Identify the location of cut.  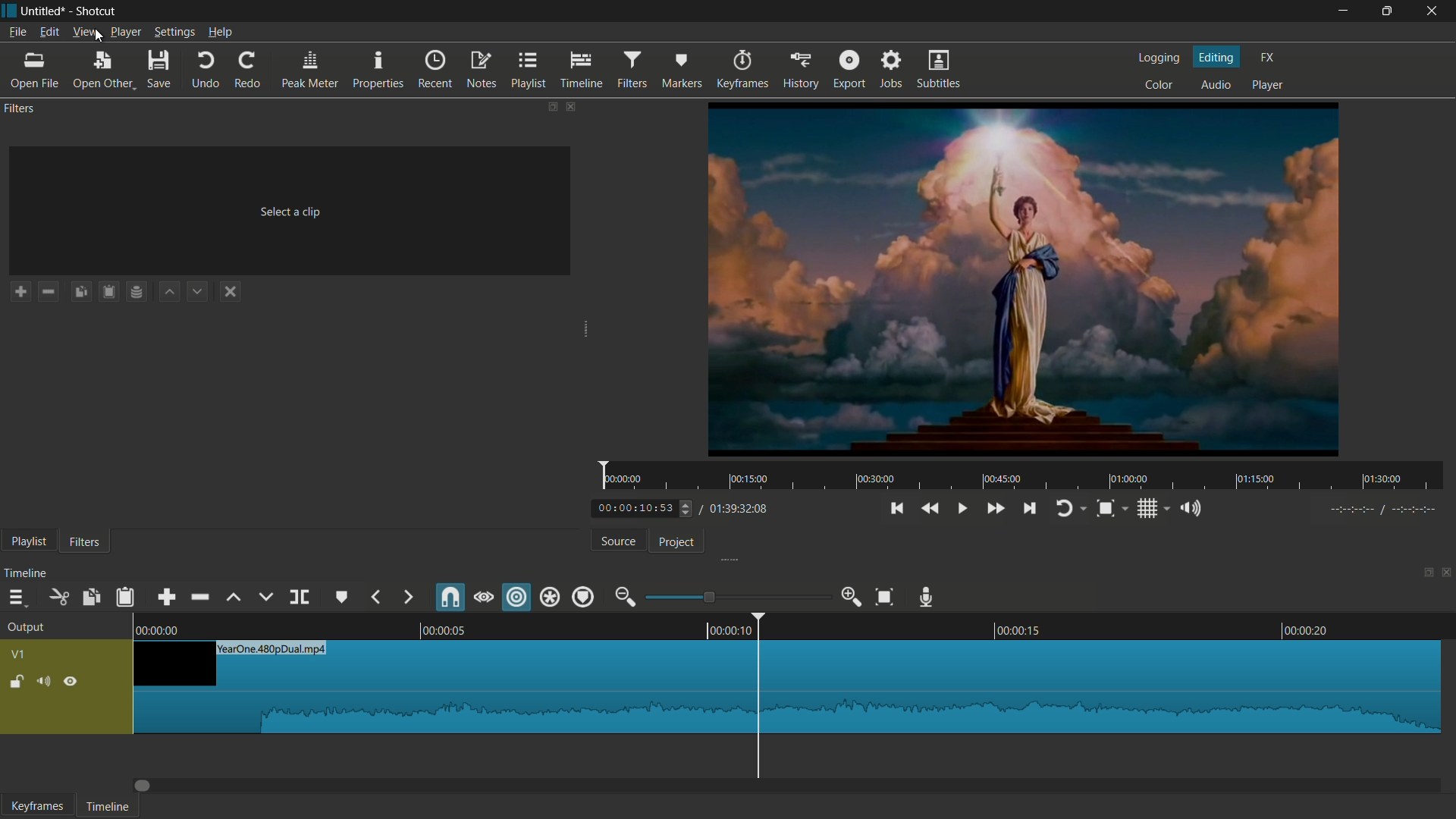
(58, 598).